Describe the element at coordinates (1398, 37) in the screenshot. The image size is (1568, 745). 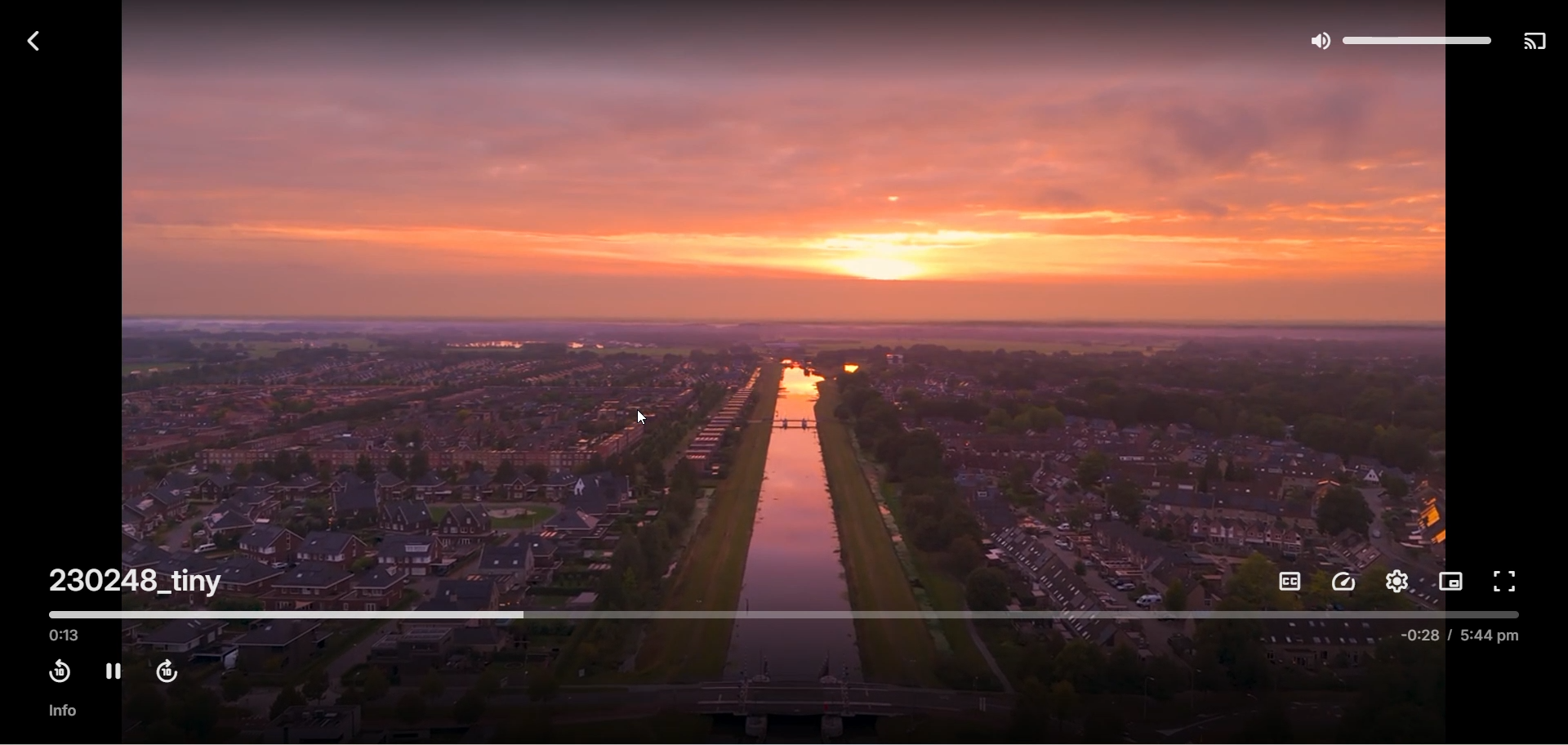
I see `Volume` at that location.